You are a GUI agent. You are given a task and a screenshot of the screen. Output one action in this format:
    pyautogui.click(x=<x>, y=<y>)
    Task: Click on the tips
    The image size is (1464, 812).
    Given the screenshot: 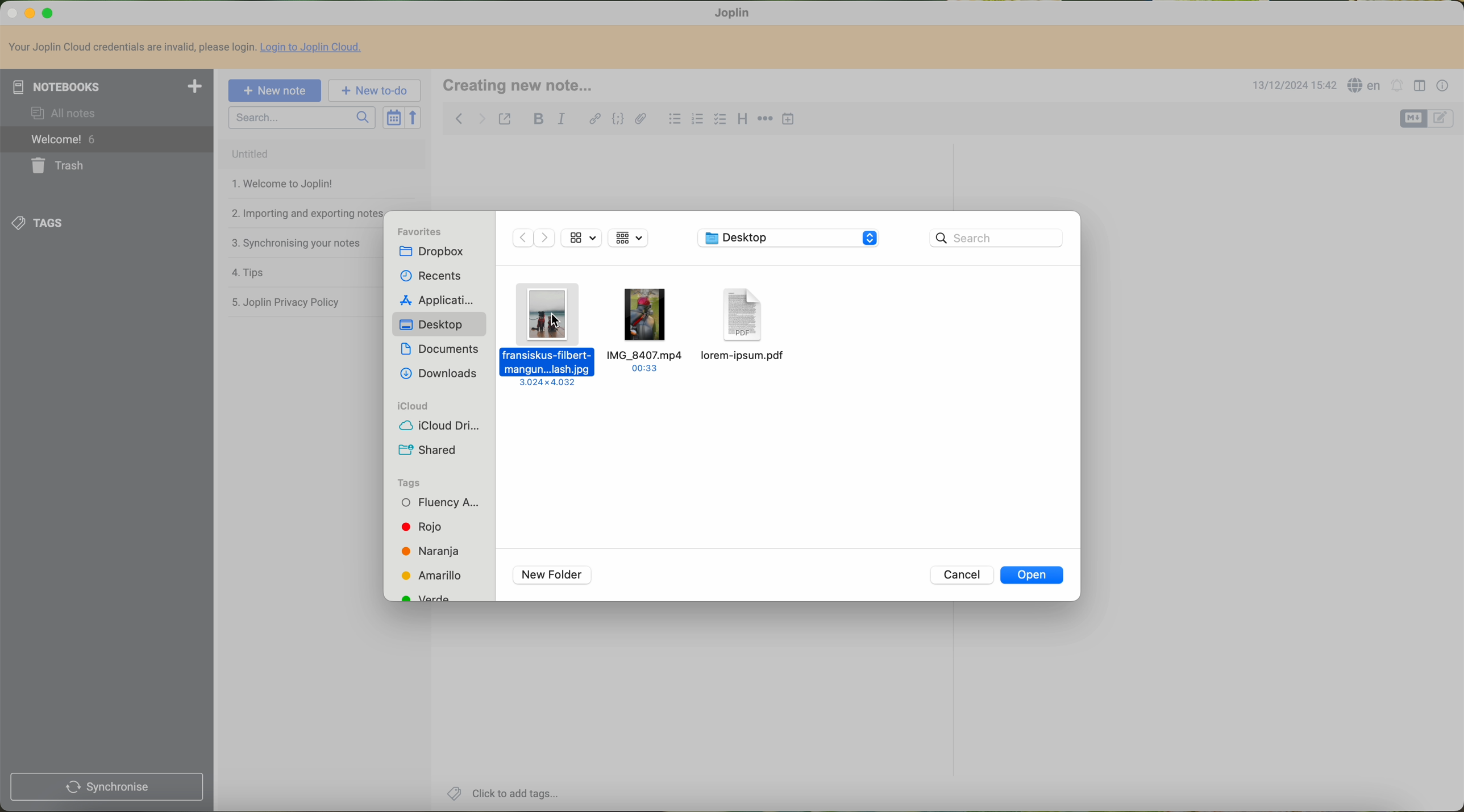 What is the action you would take?
    pyautogui.click(x=245, y=272)
    